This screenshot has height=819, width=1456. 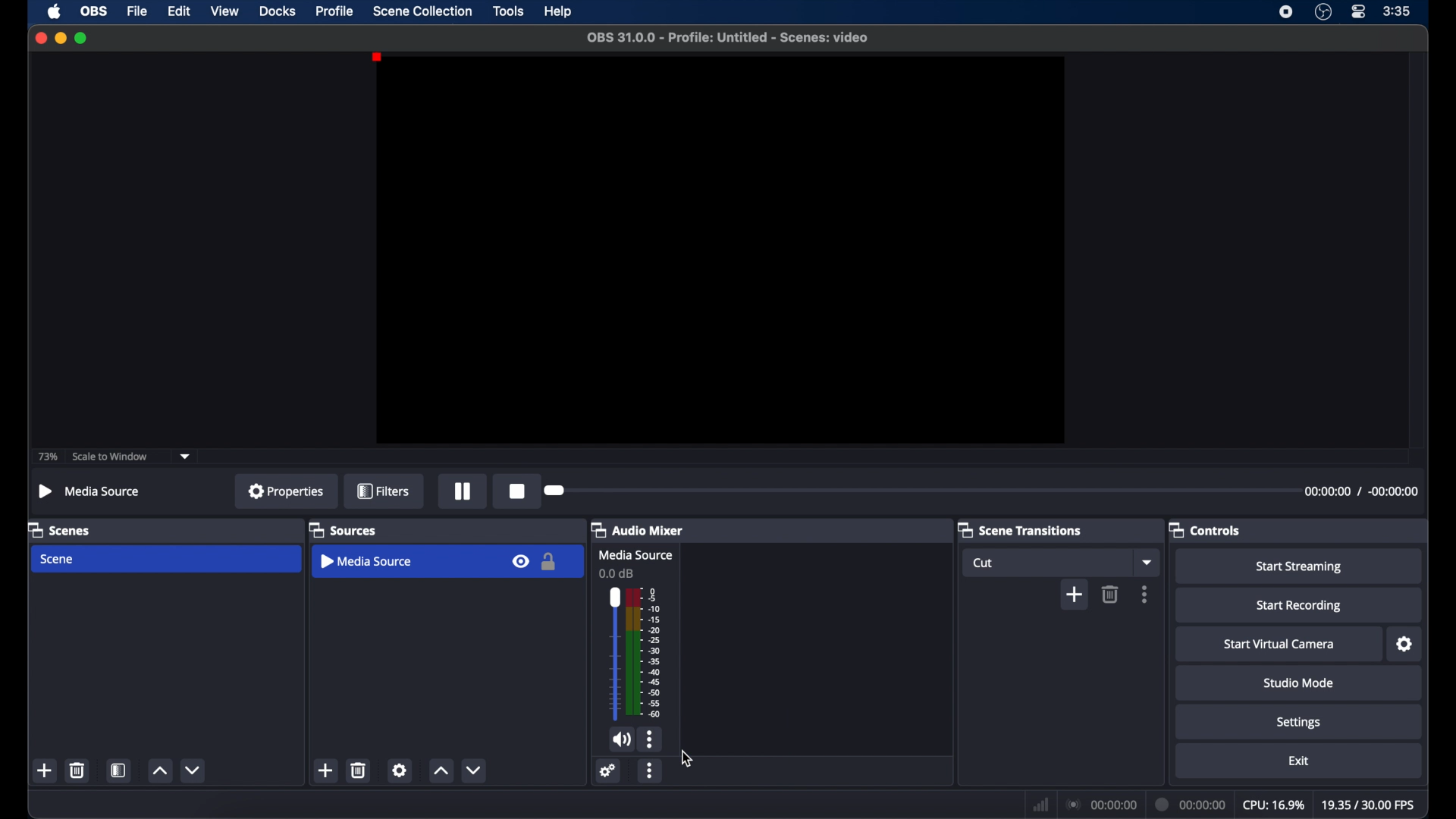 What do you see at coordinates (400, 770) in the screenshot?
I see `settings` at bounding box center [400, 770].